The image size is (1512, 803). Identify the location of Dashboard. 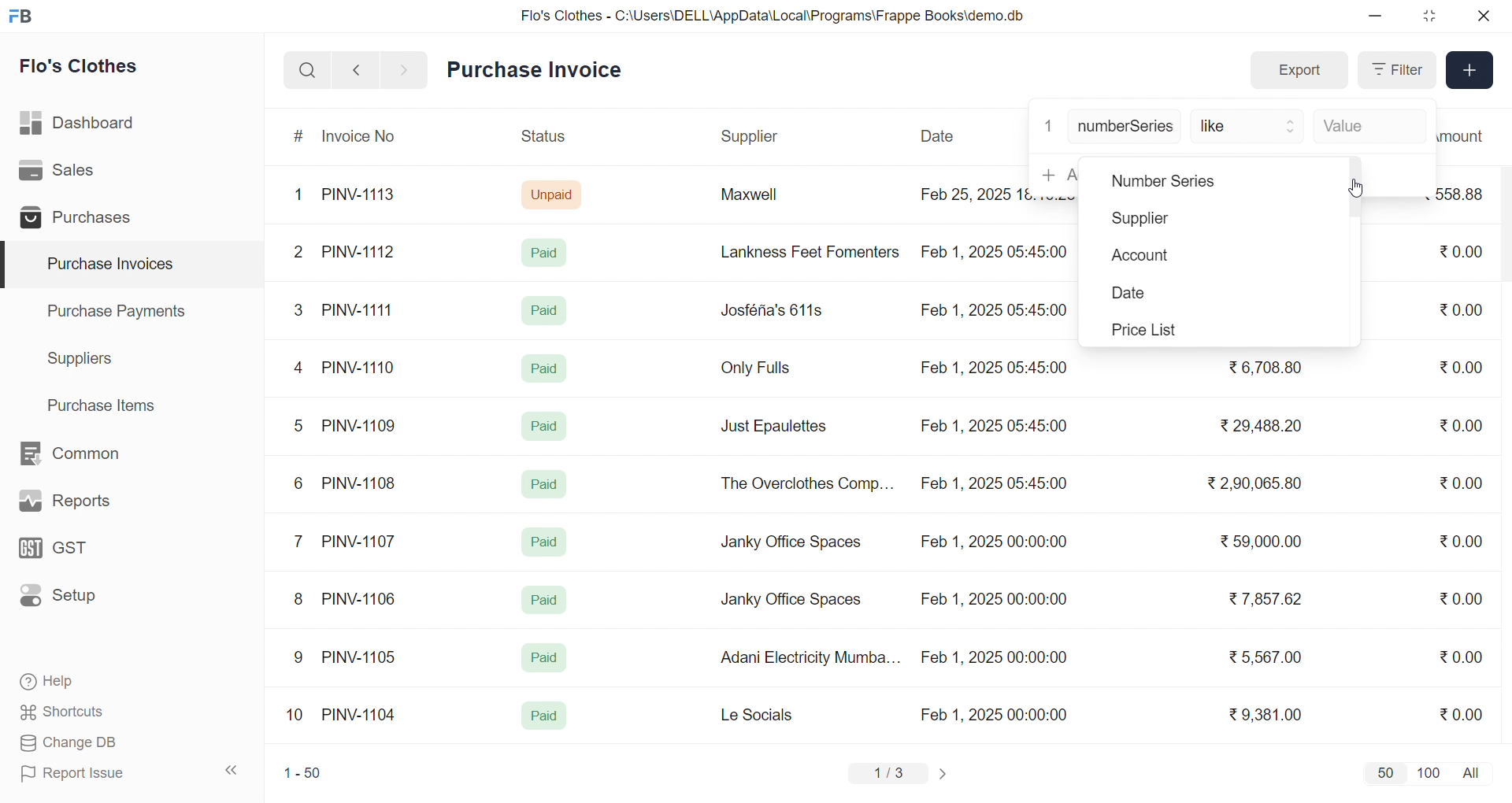
(82, 126).